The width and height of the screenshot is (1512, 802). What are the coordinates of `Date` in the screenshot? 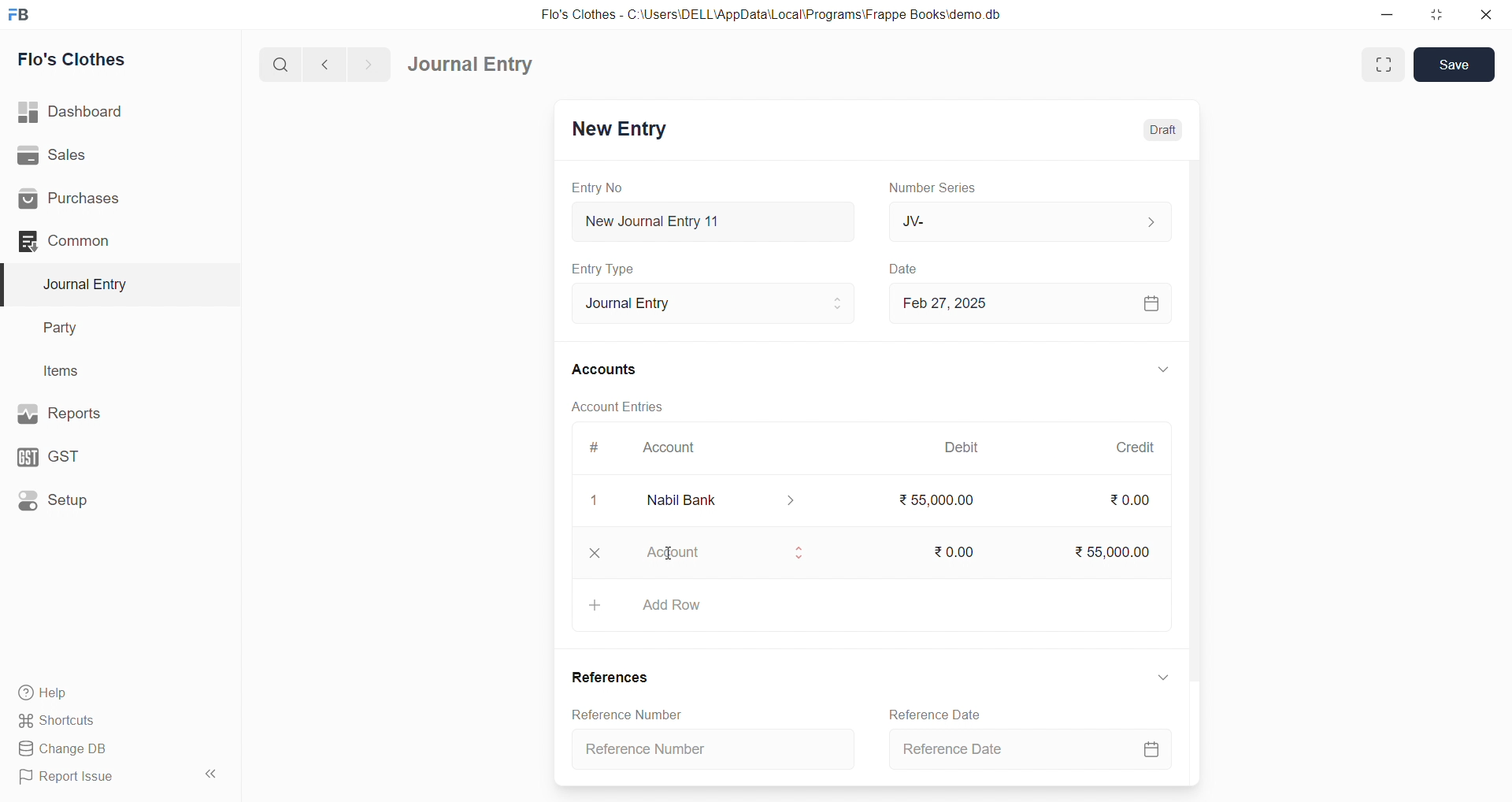 It's located at (908, 269).